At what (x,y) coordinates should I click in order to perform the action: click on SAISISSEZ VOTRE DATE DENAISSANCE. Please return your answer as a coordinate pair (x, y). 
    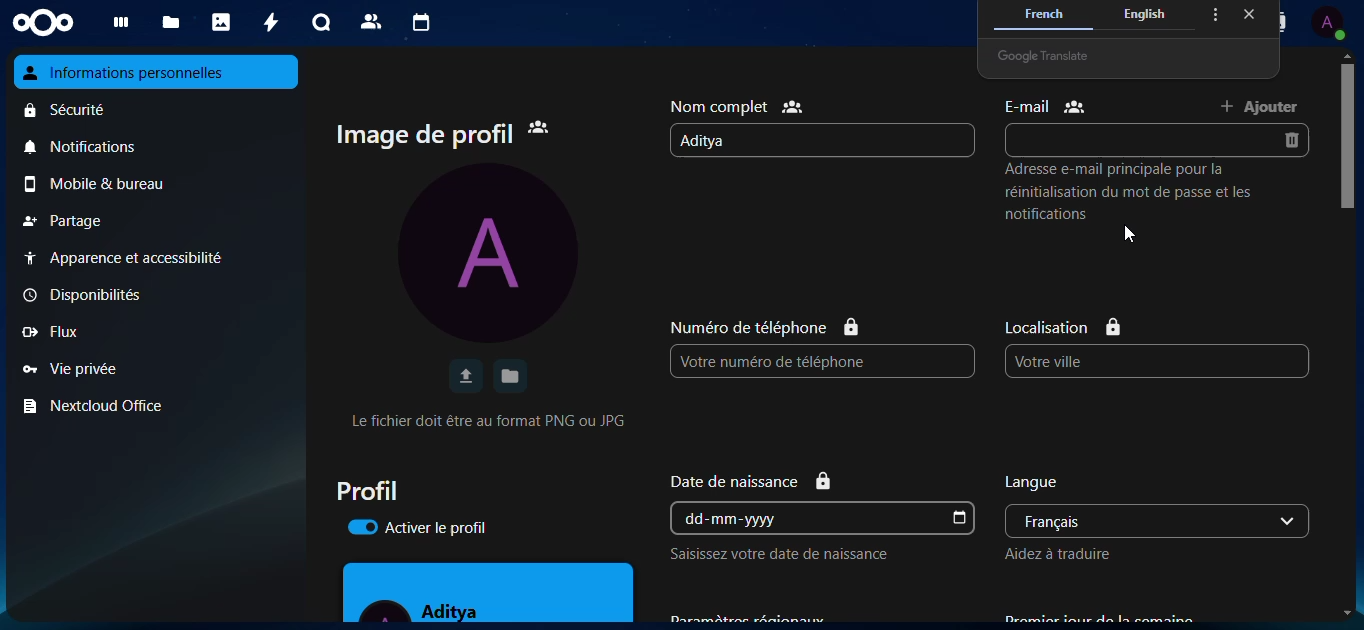
    Looking at the image, I should click on (781, 558).